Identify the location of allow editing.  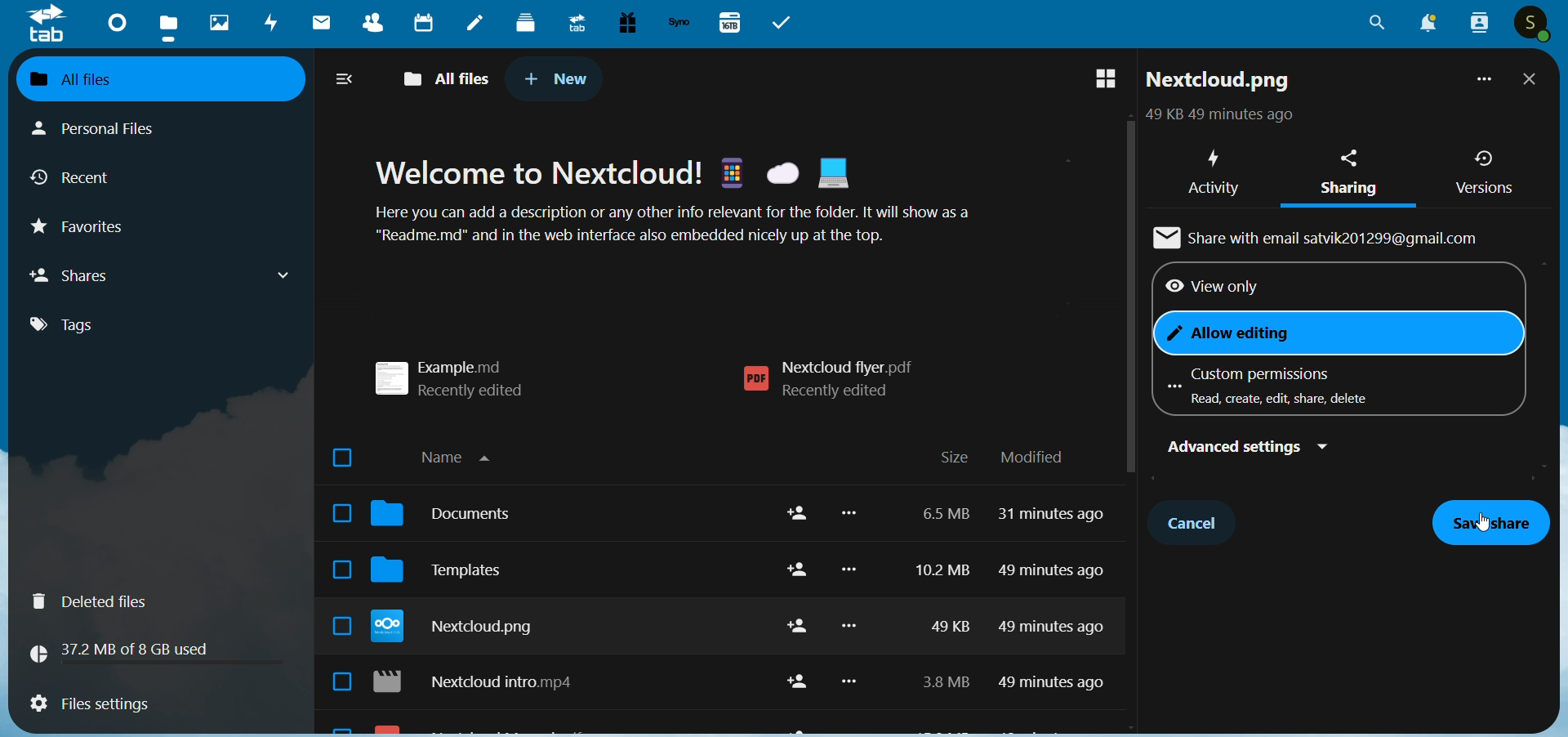
(1245, 334).